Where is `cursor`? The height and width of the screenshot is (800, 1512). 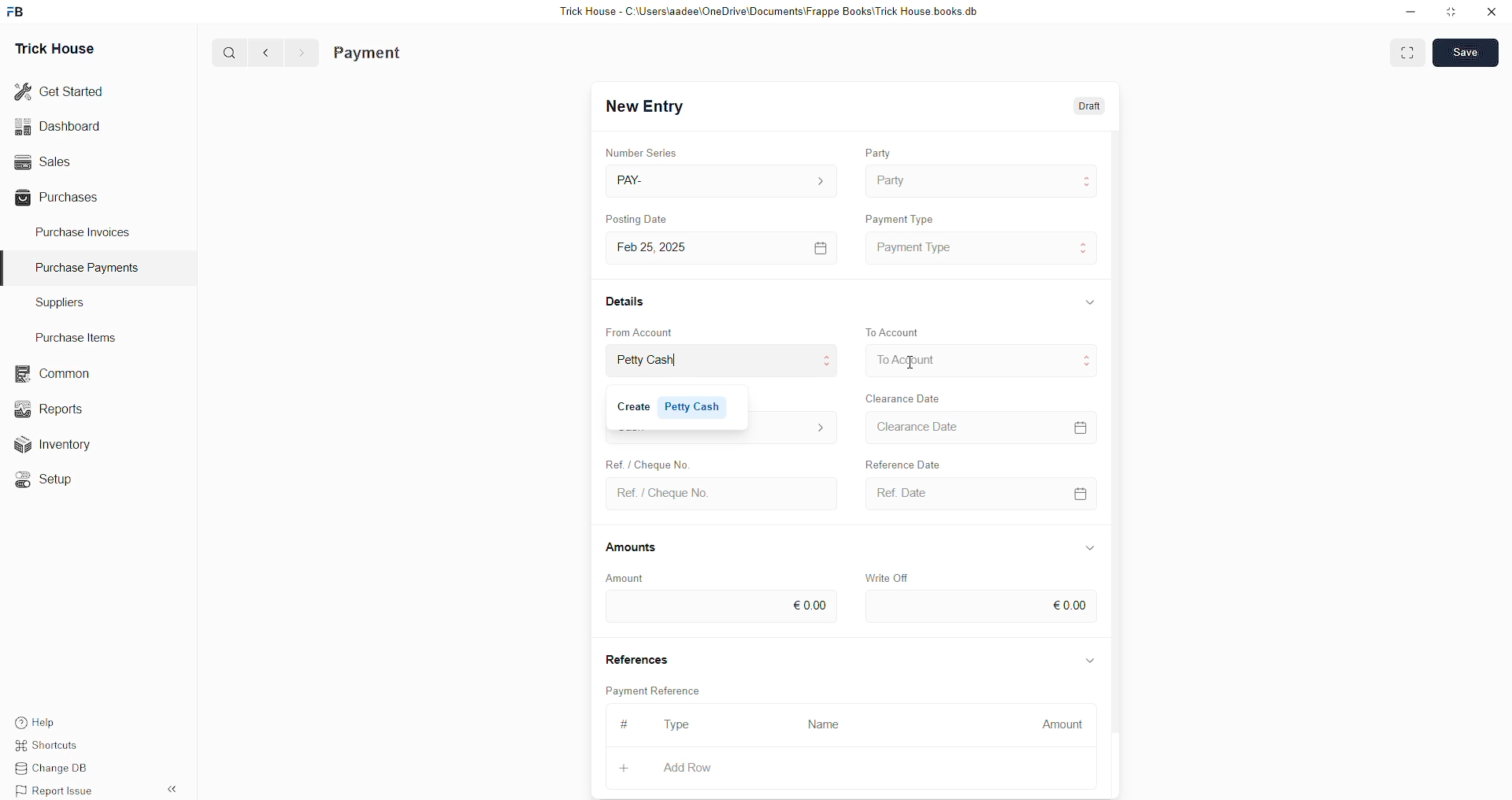 cursor is located at coordinates (917, 365).